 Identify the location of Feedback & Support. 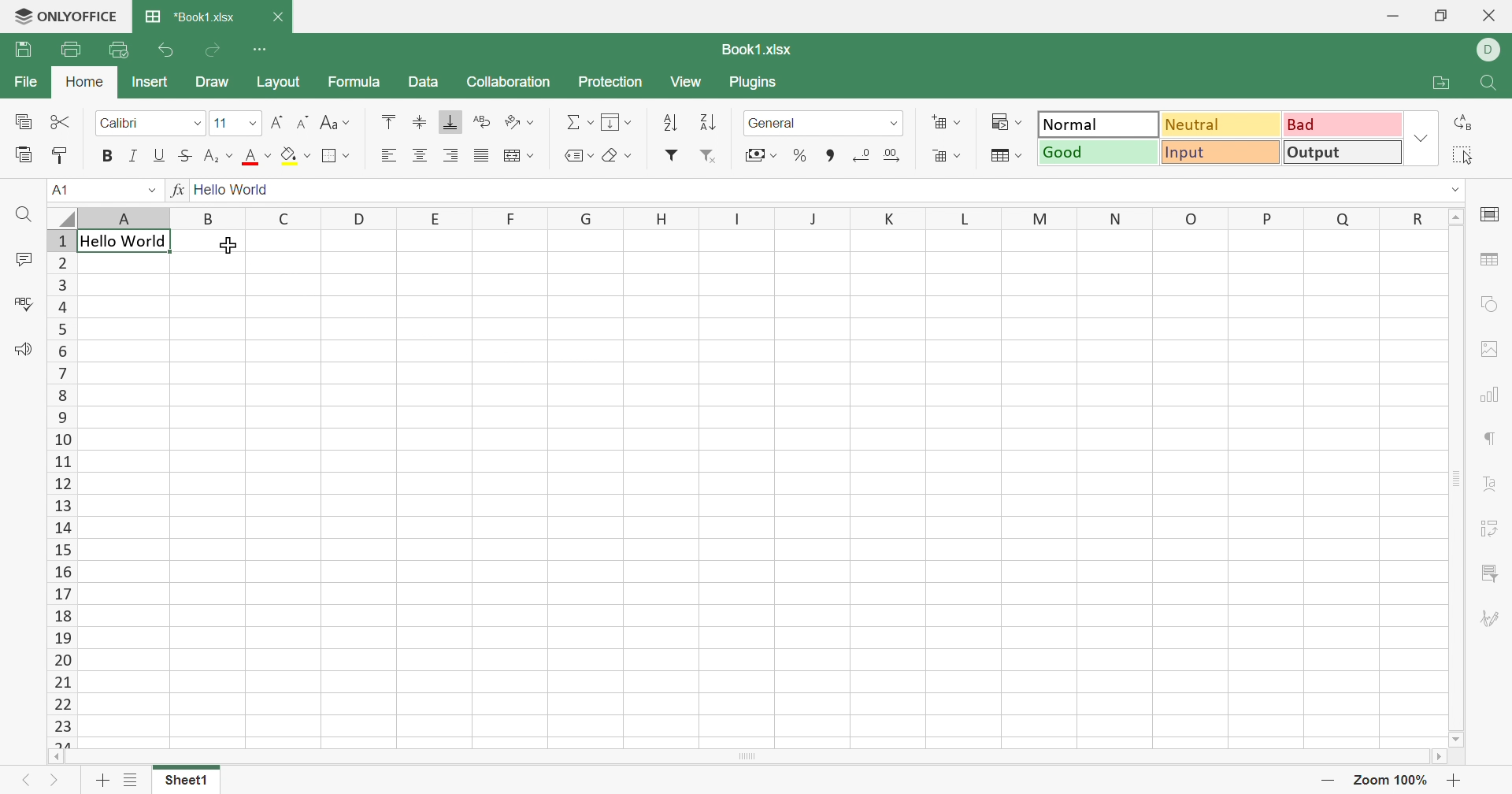
(21, 350).